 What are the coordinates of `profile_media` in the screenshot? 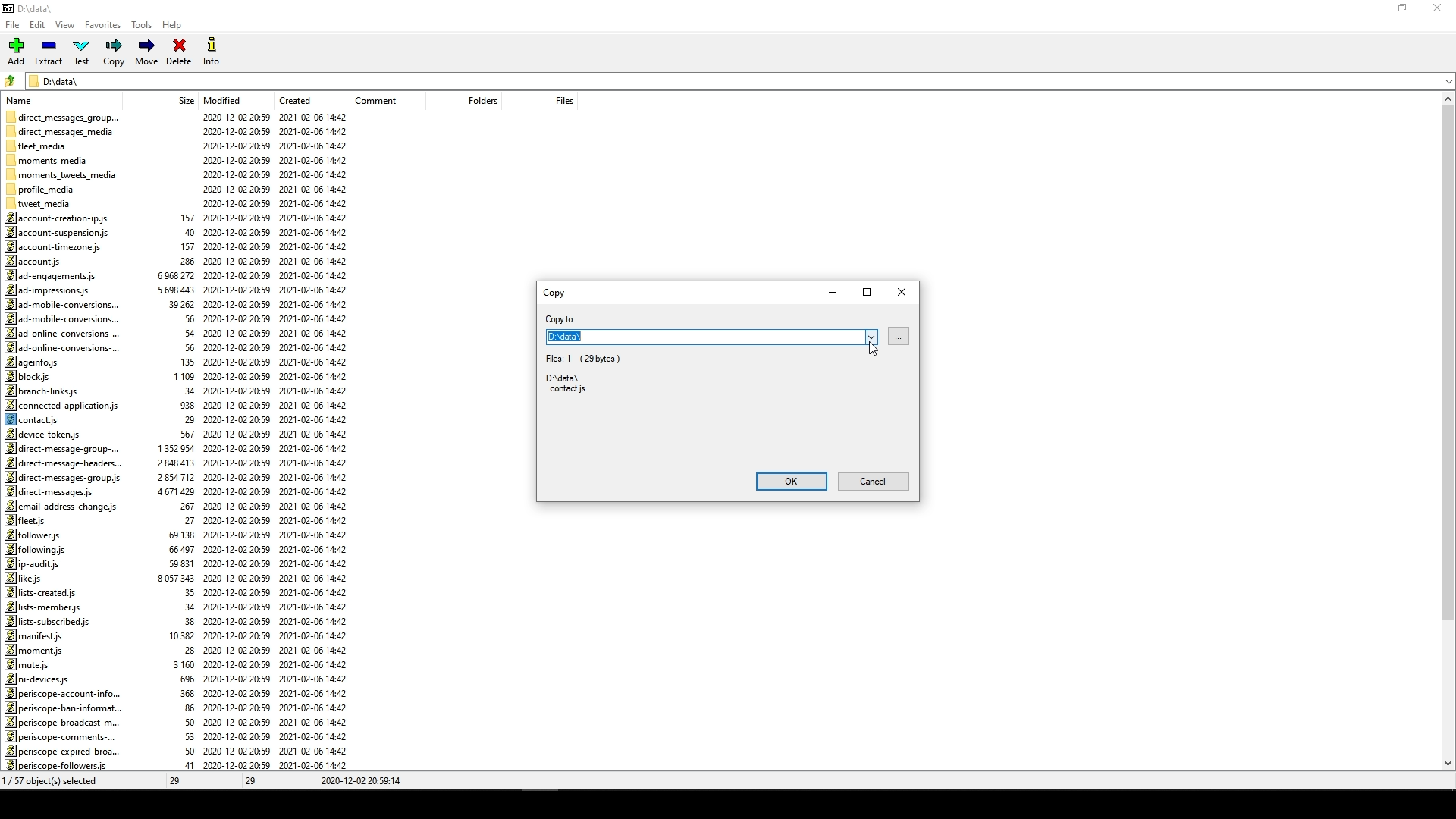 It's located at (42, 190).